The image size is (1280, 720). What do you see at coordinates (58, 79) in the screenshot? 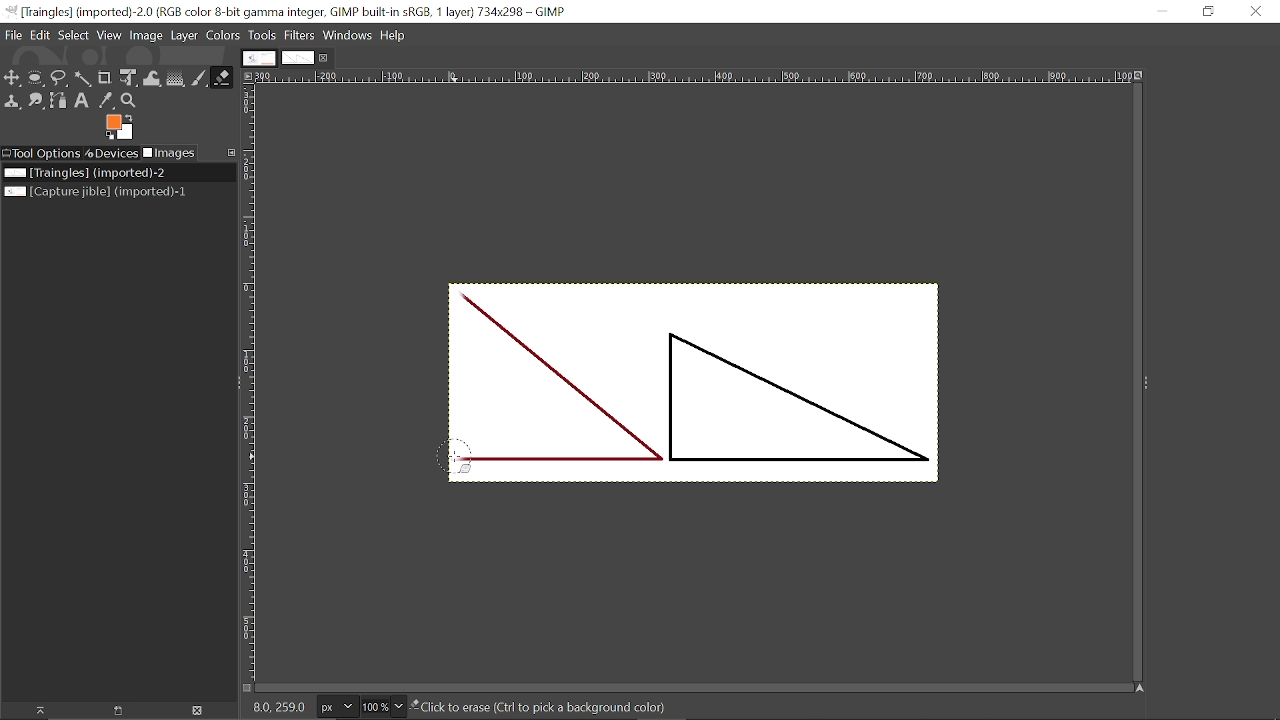
I see `Free select tool` at bounding box center [58, 79].